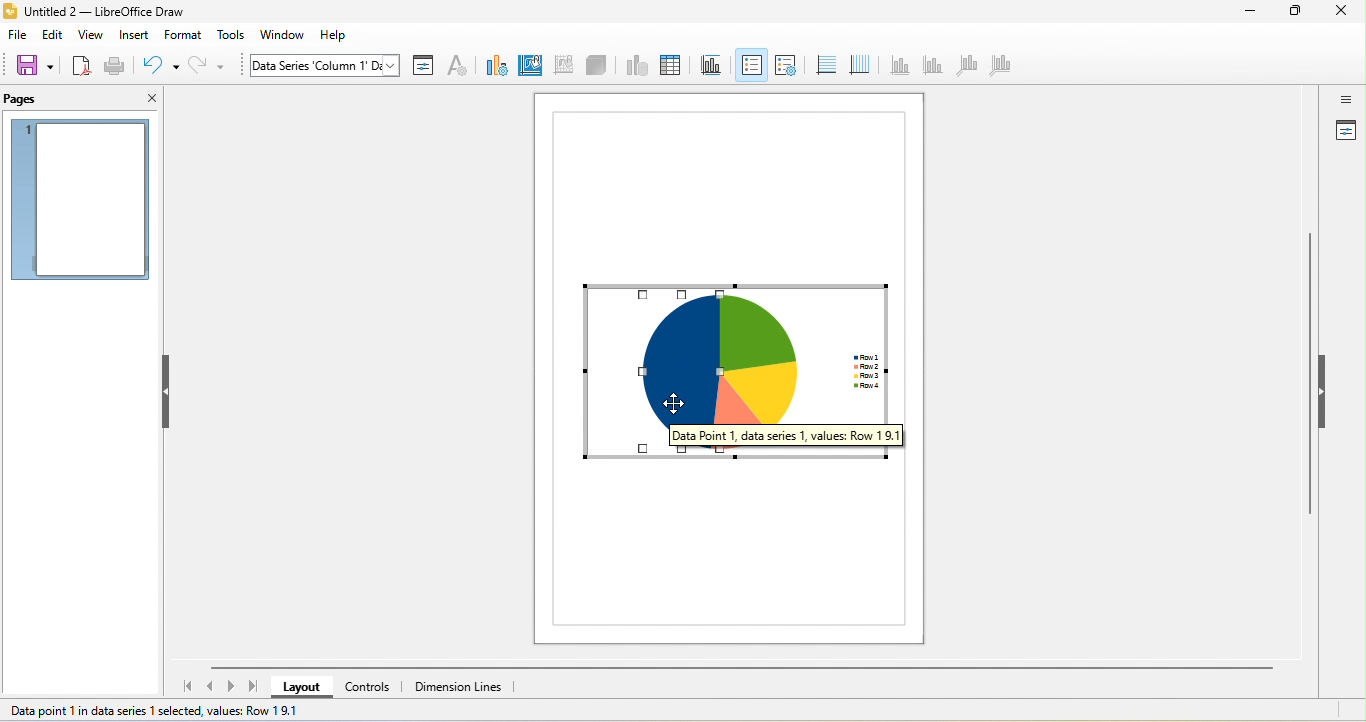  Describe the element at coordinates (168, 391) in the screenshot. I see `hide` at that location.